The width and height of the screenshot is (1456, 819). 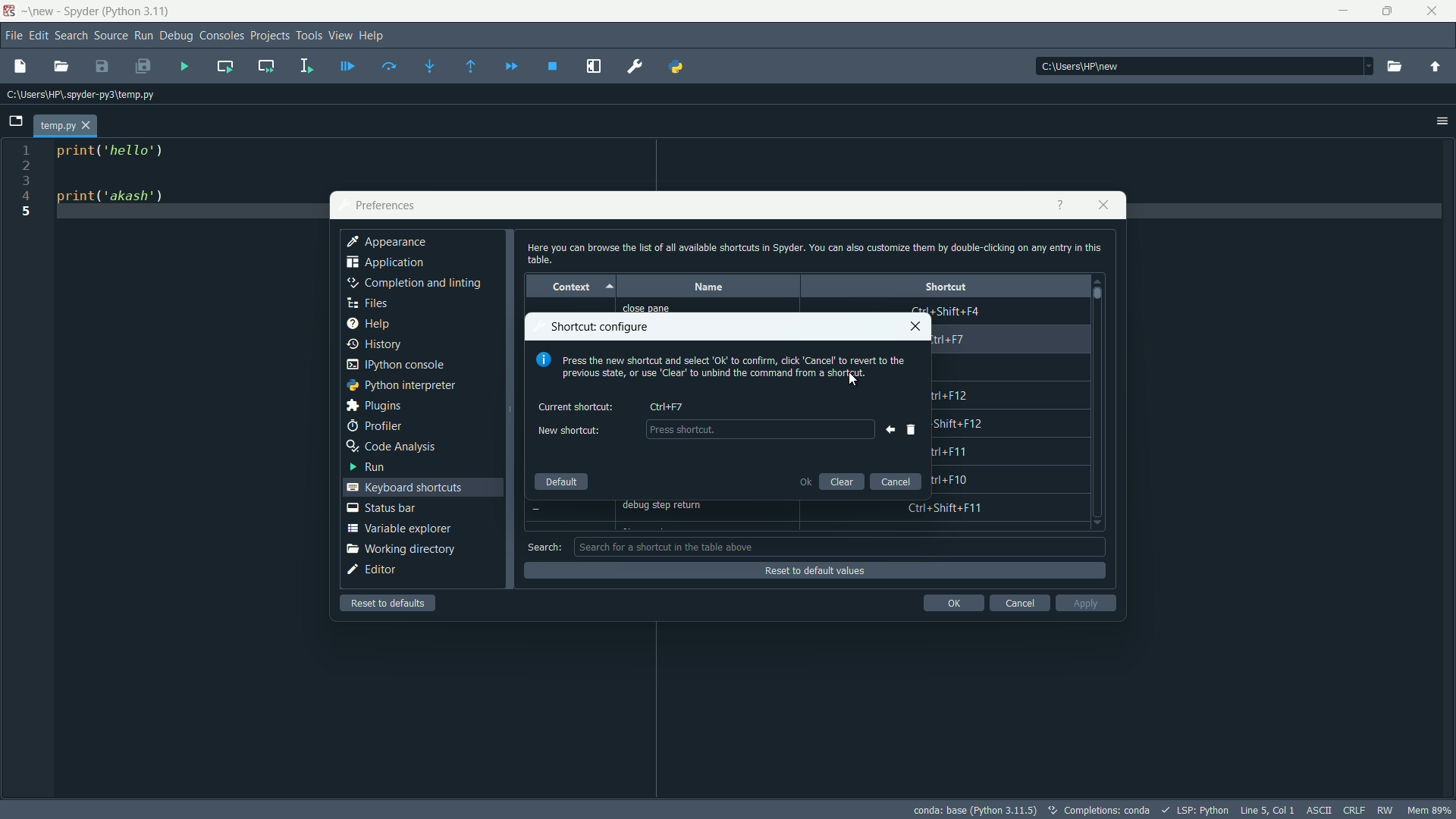 What do you see at coordinates (367, 325) in the screenshot?
I see `help` at bounding box center [367, 325].